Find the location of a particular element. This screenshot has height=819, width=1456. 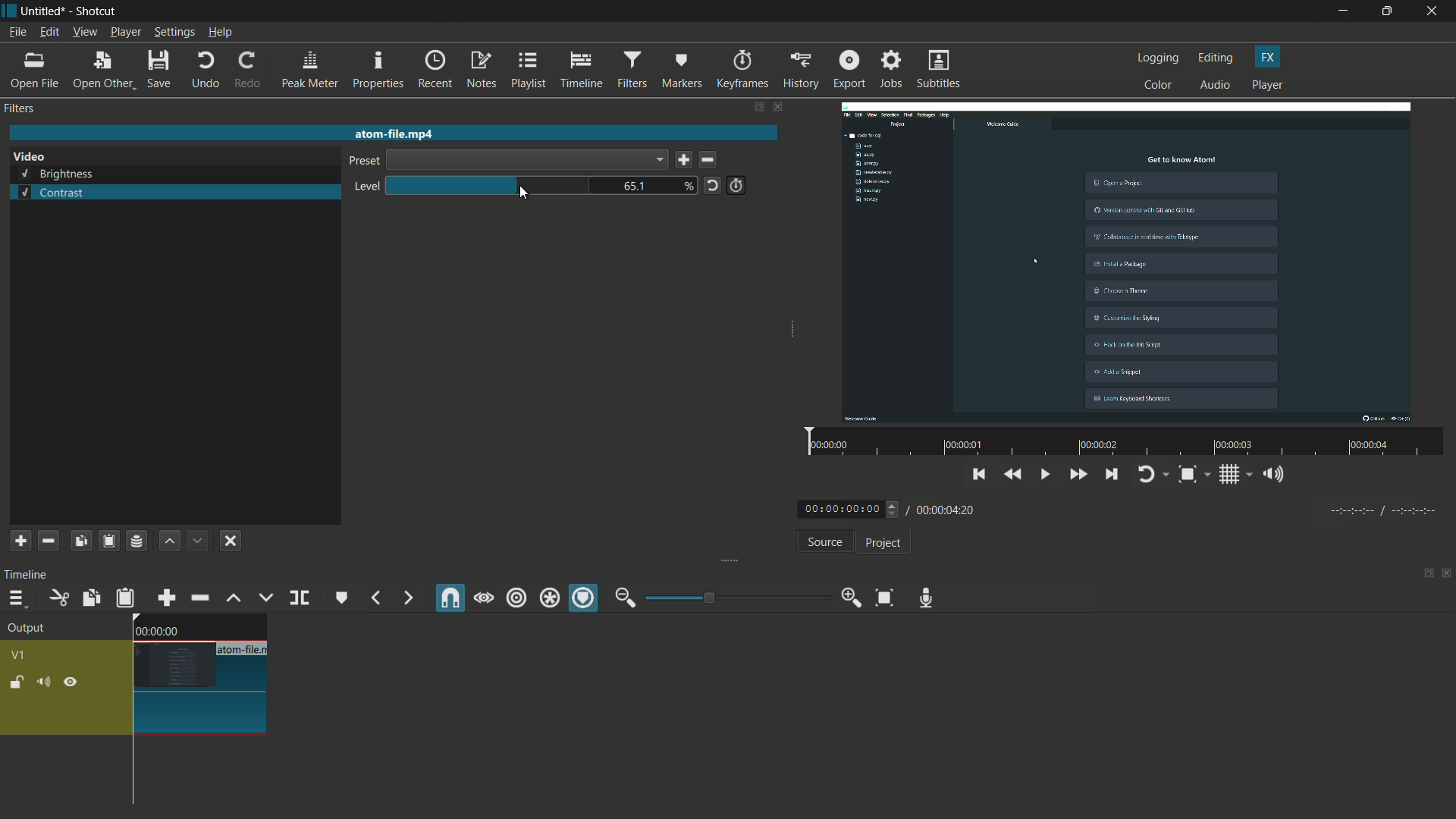

subtitles is located at coordinates (940, 71).